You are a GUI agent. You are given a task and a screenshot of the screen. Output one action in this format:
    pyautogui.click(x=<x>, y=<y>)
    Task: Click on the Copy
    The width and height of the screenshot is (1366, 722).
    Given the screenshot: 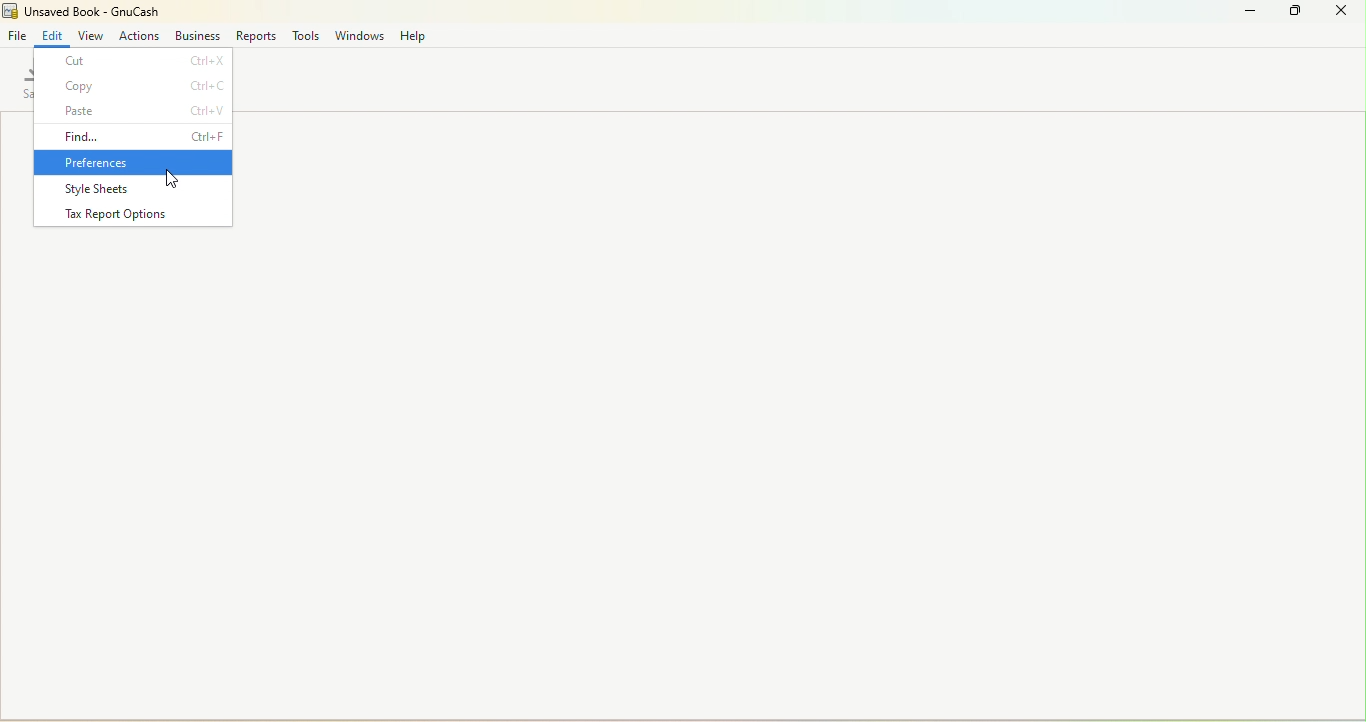 What is the action you would take?
    pyautogui.click(x=132, y=84)
    